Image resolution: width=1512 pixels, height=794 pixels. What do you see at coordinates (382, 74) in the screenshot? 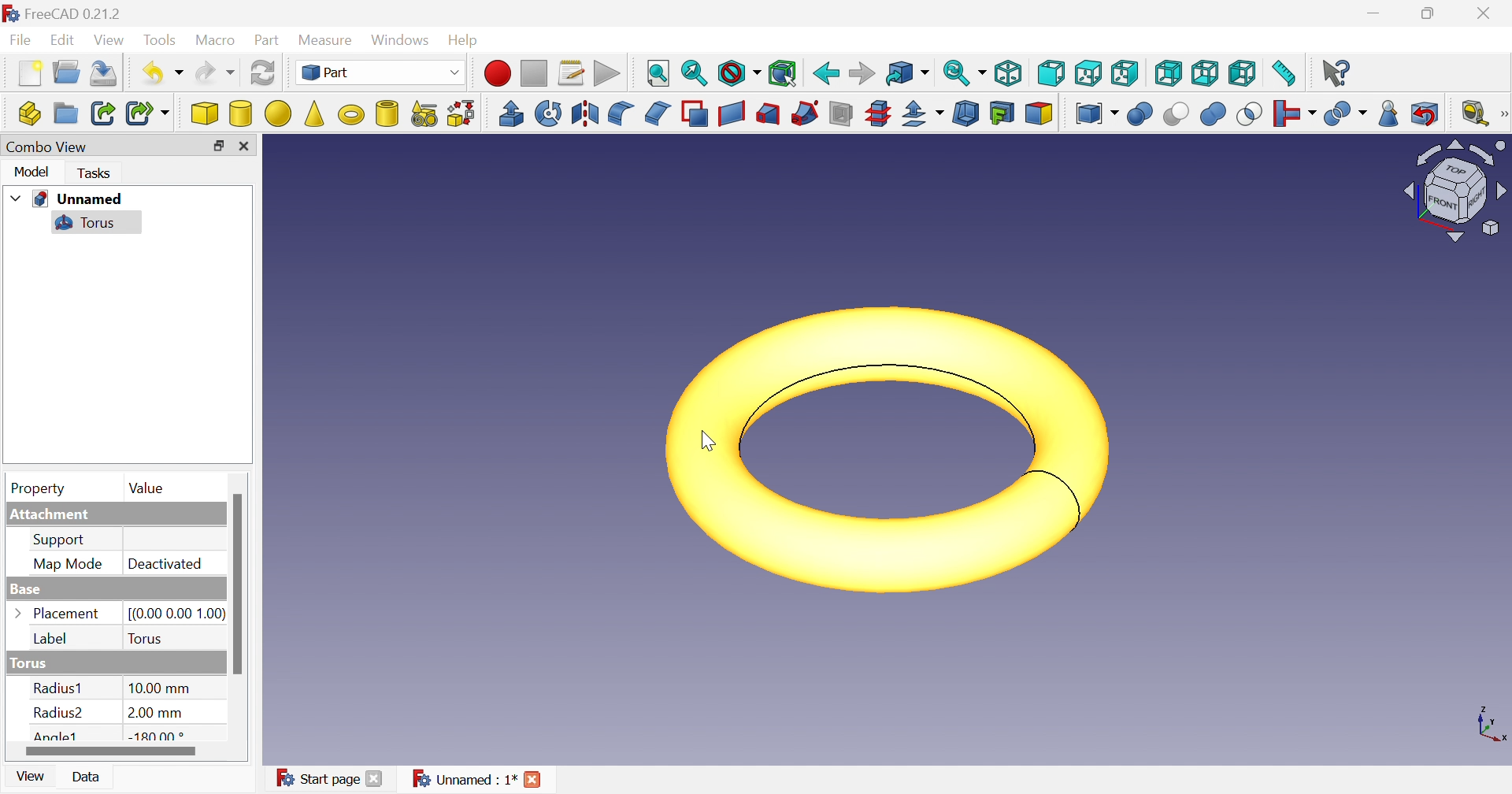
I see `Part` at bounding box center [382, 74].